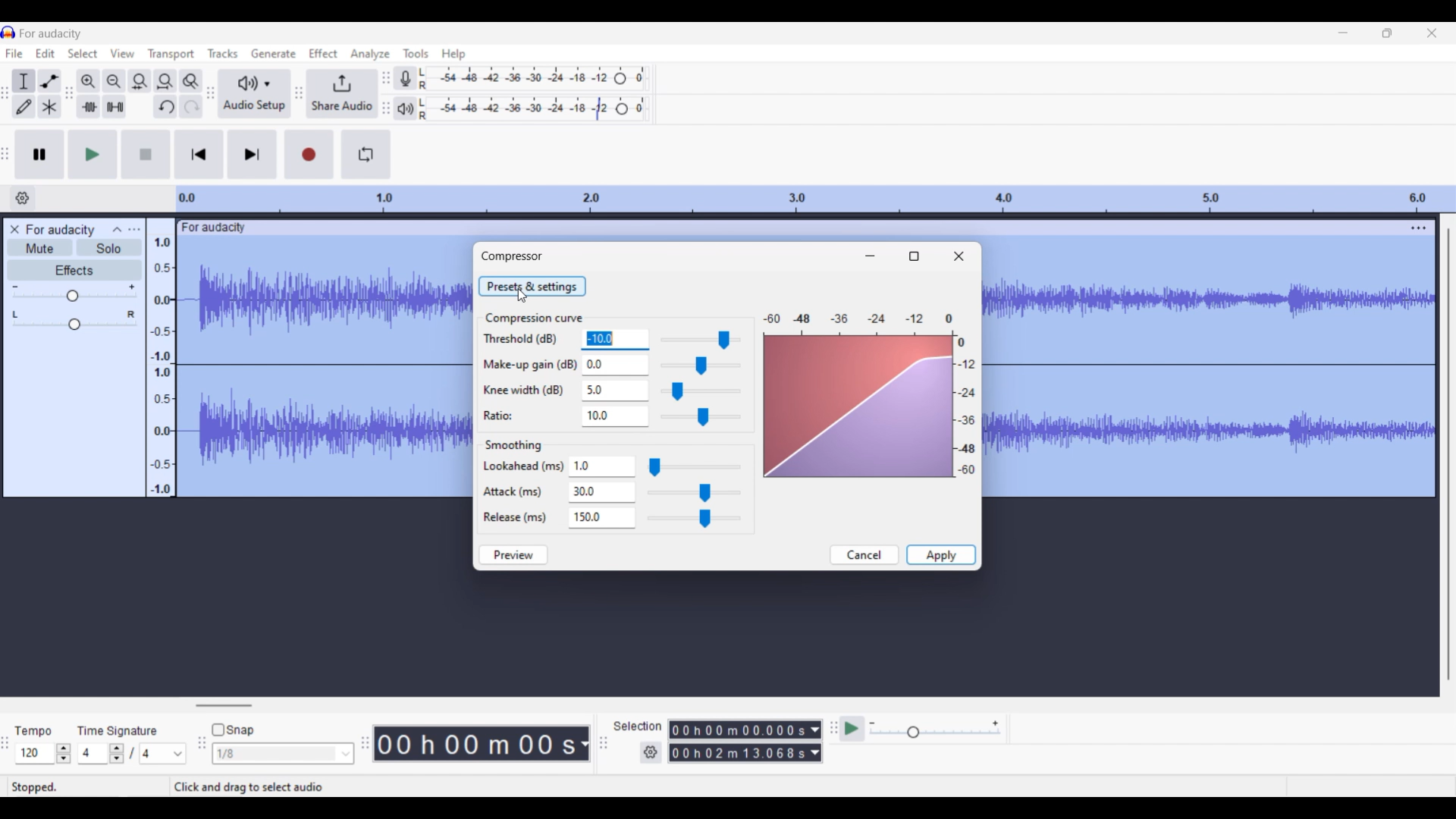 The height and width of the screenshot is (819, 1456). Describe the element at coordinates (604, 466) in the screenshot. I see `Text box for Lookahead` at that location.